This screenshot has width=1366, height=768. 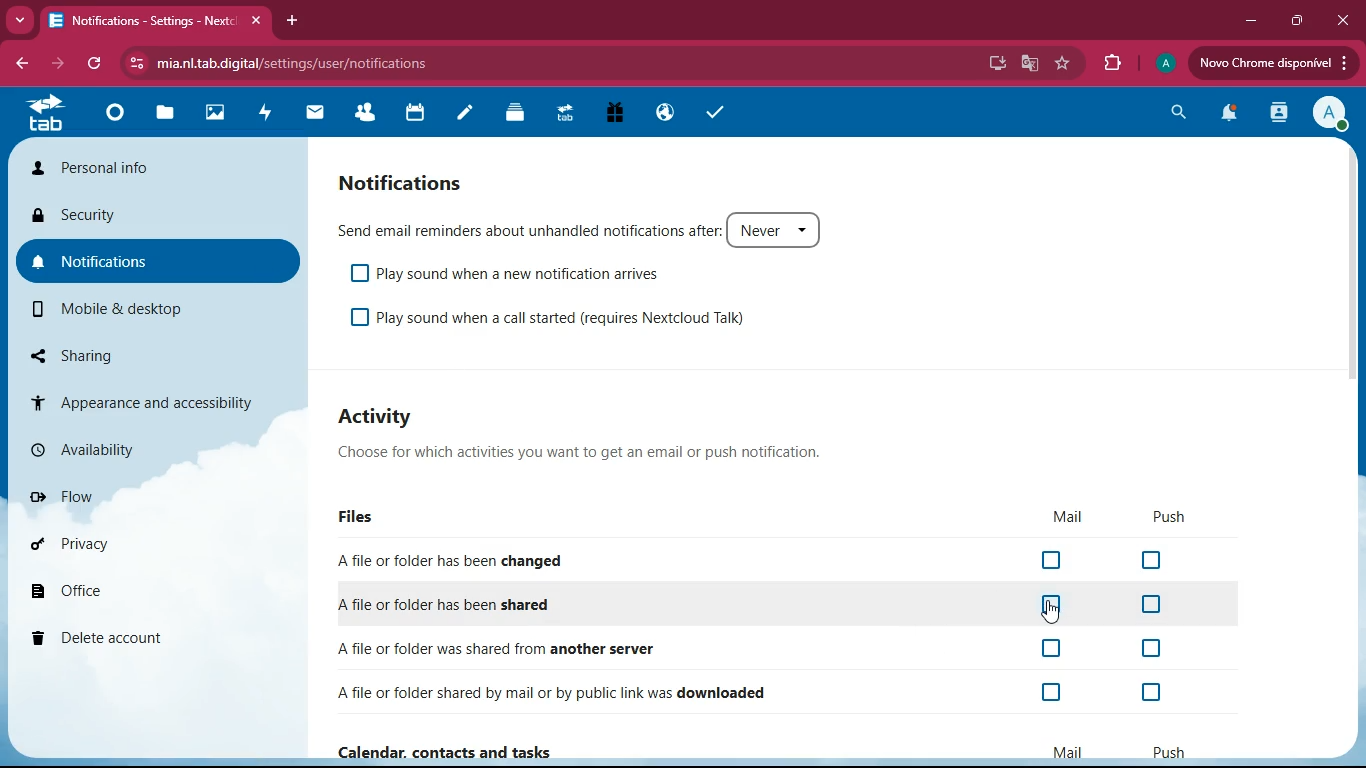 I want to click on push, so click(x=1171, y=750).